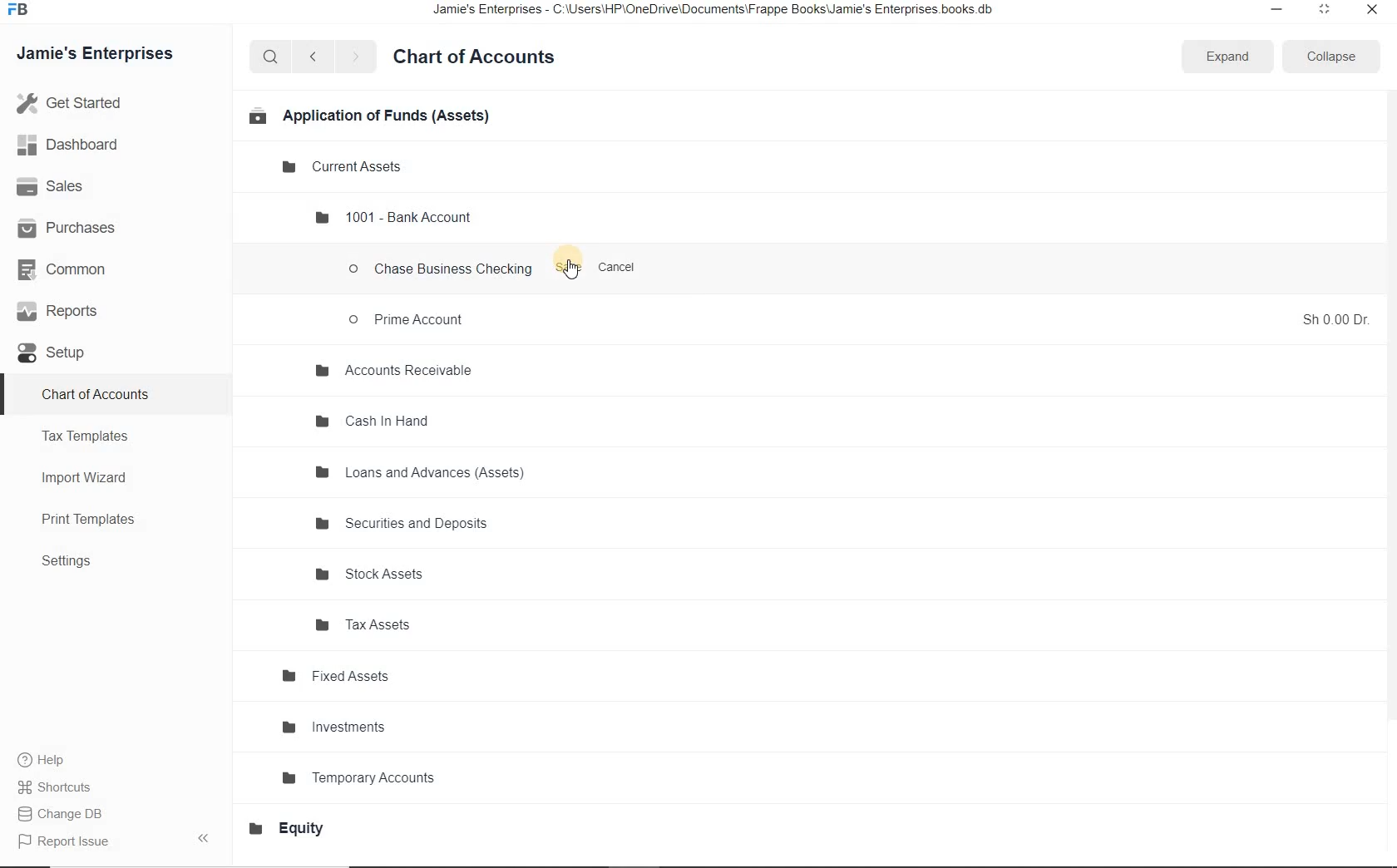  I want to click on search, so click(270, 57).